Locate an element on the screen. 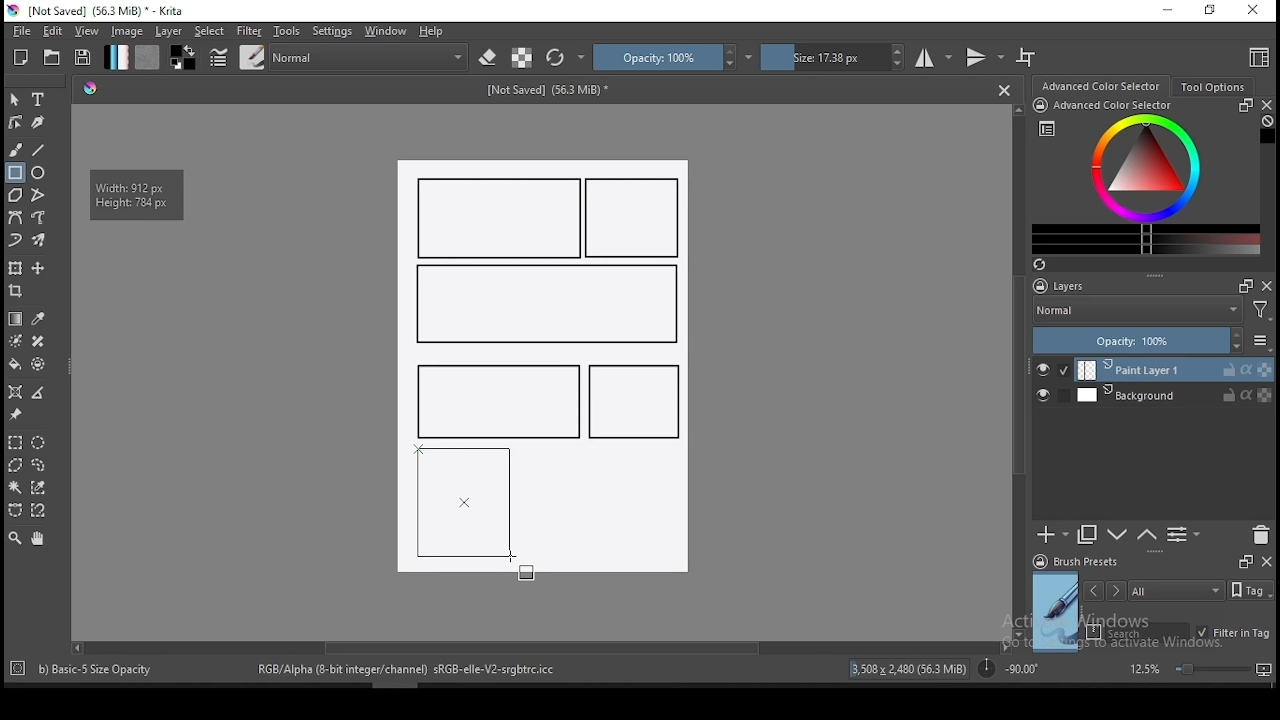  pick a color from image and current layer is located at coordinates (39, 319).